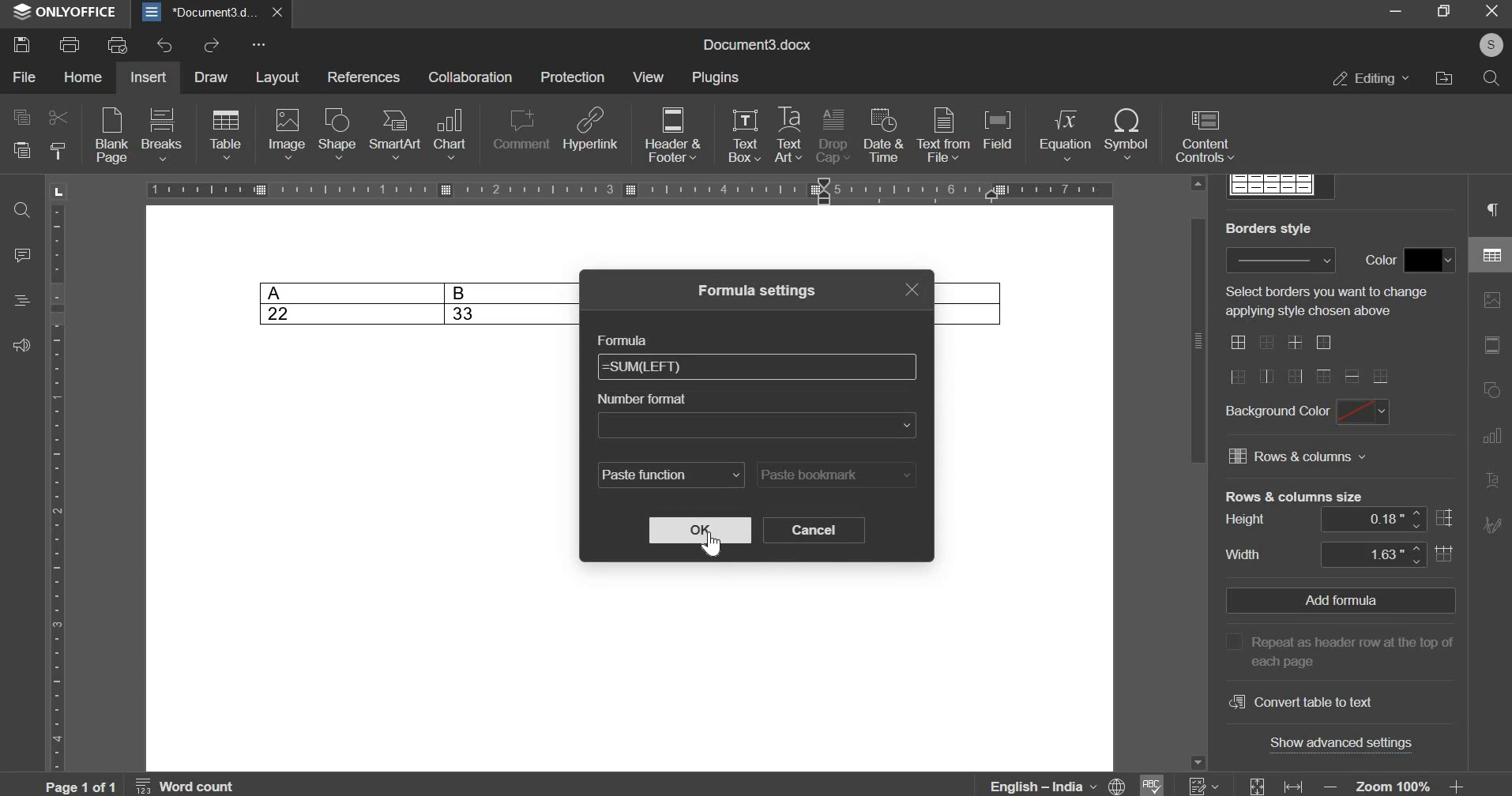  What do you see at coordinates (1280, 261) in the screenshot?
I see `border style` at bounding box center [1280, 261].